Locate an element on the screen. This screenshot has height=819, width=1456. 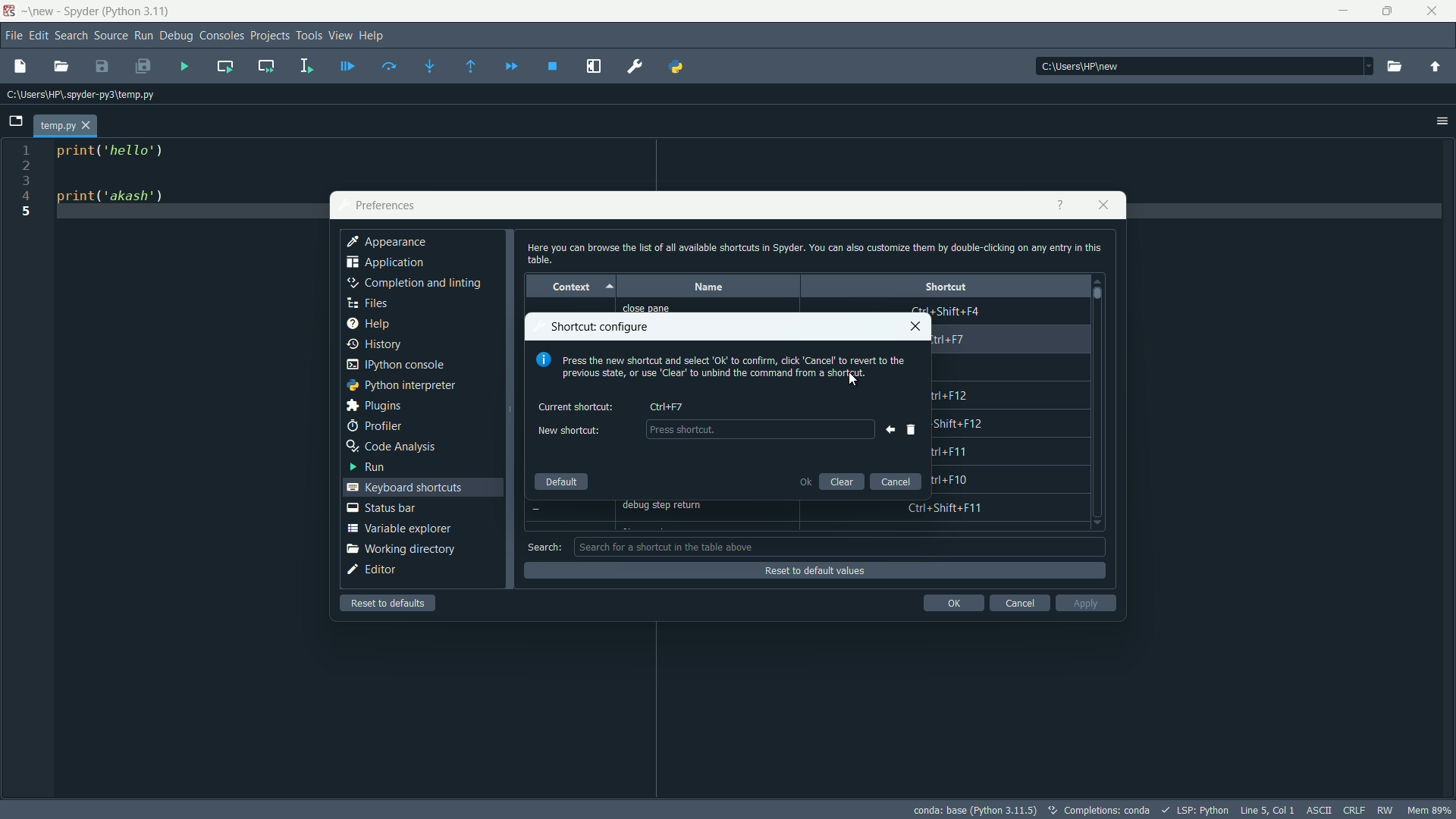
rw is located at coordinates (1387, 810).